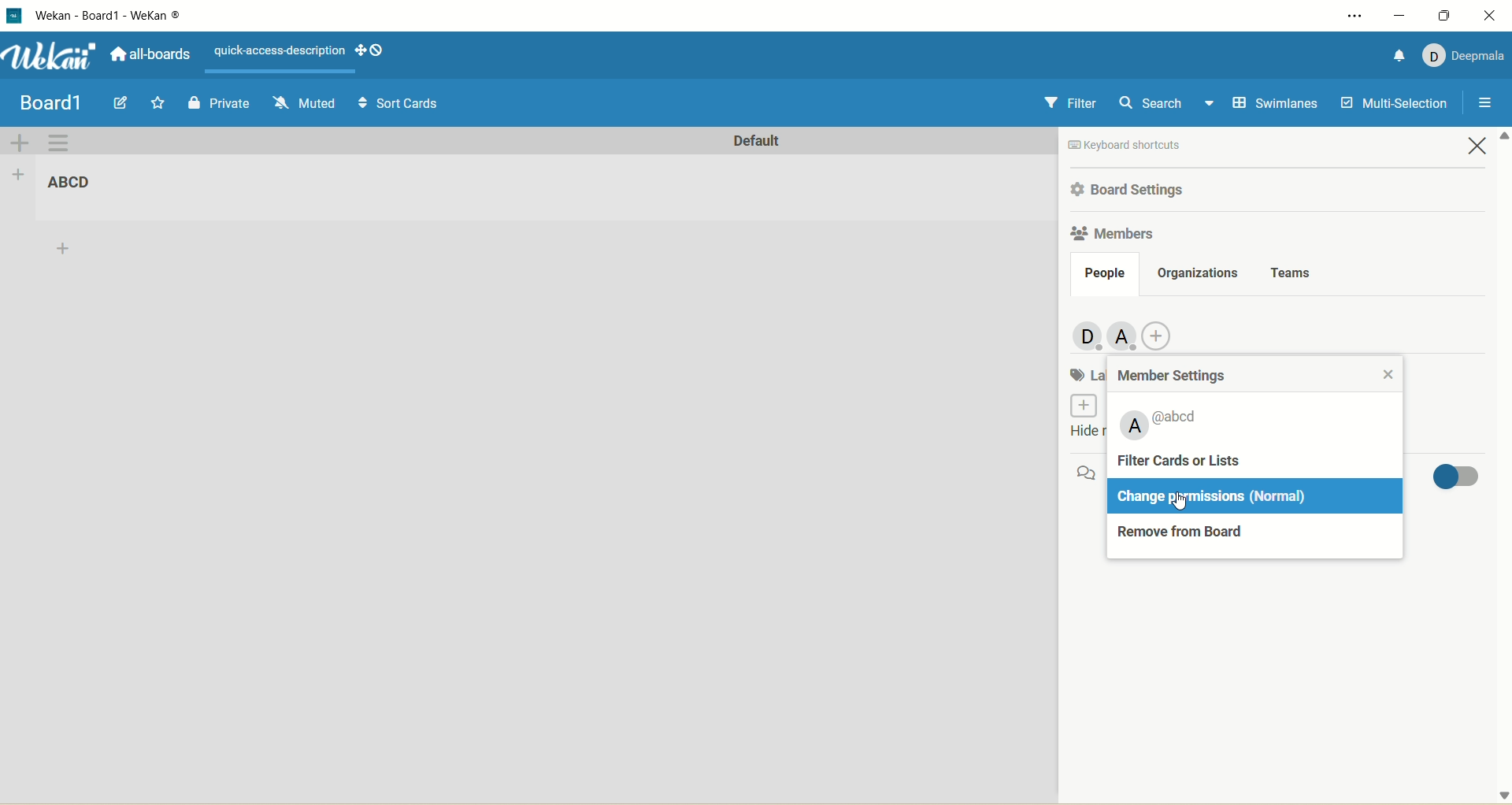  Describe the element at coordinates (1395, 372) in the screenshot. I see `close` at that location.